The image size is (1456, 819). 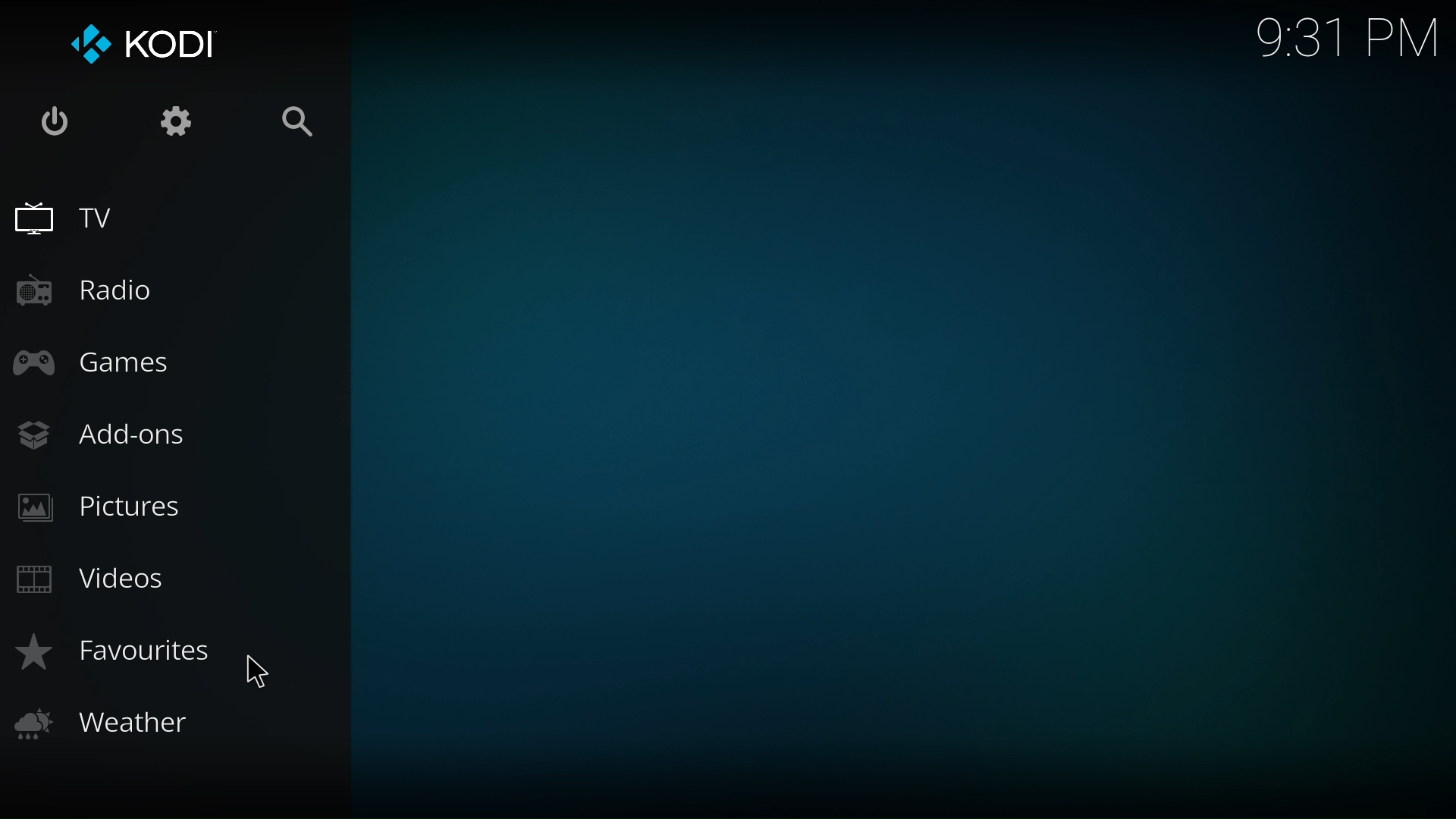 What do you see at coordinates (174, 120) in the screenshot?
I see `setting` at bounding box center [174, 120].